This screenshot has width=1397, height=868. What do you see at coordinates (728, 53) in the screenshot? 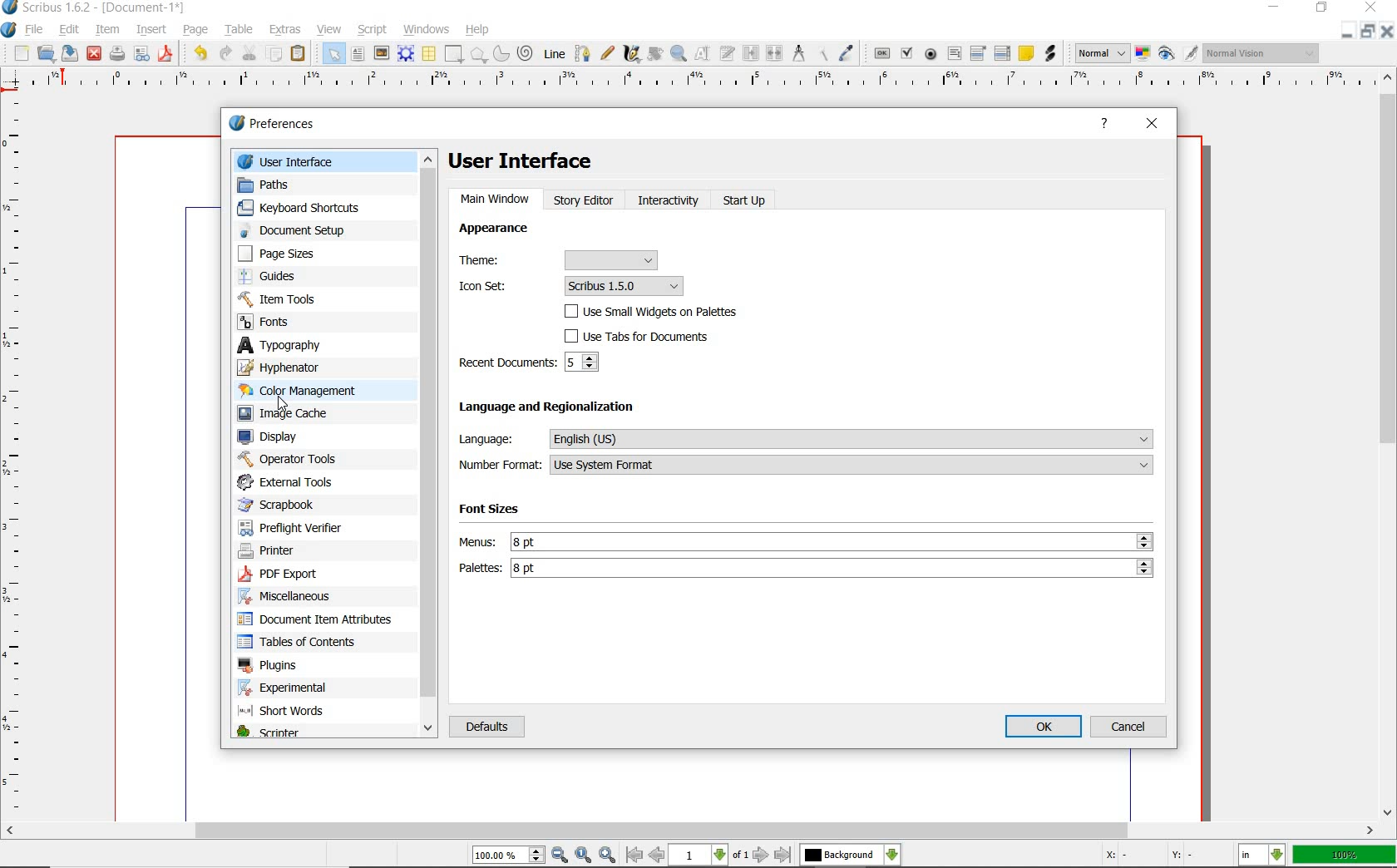
I see `edit text with story editor` at bounding box center [728, 53].